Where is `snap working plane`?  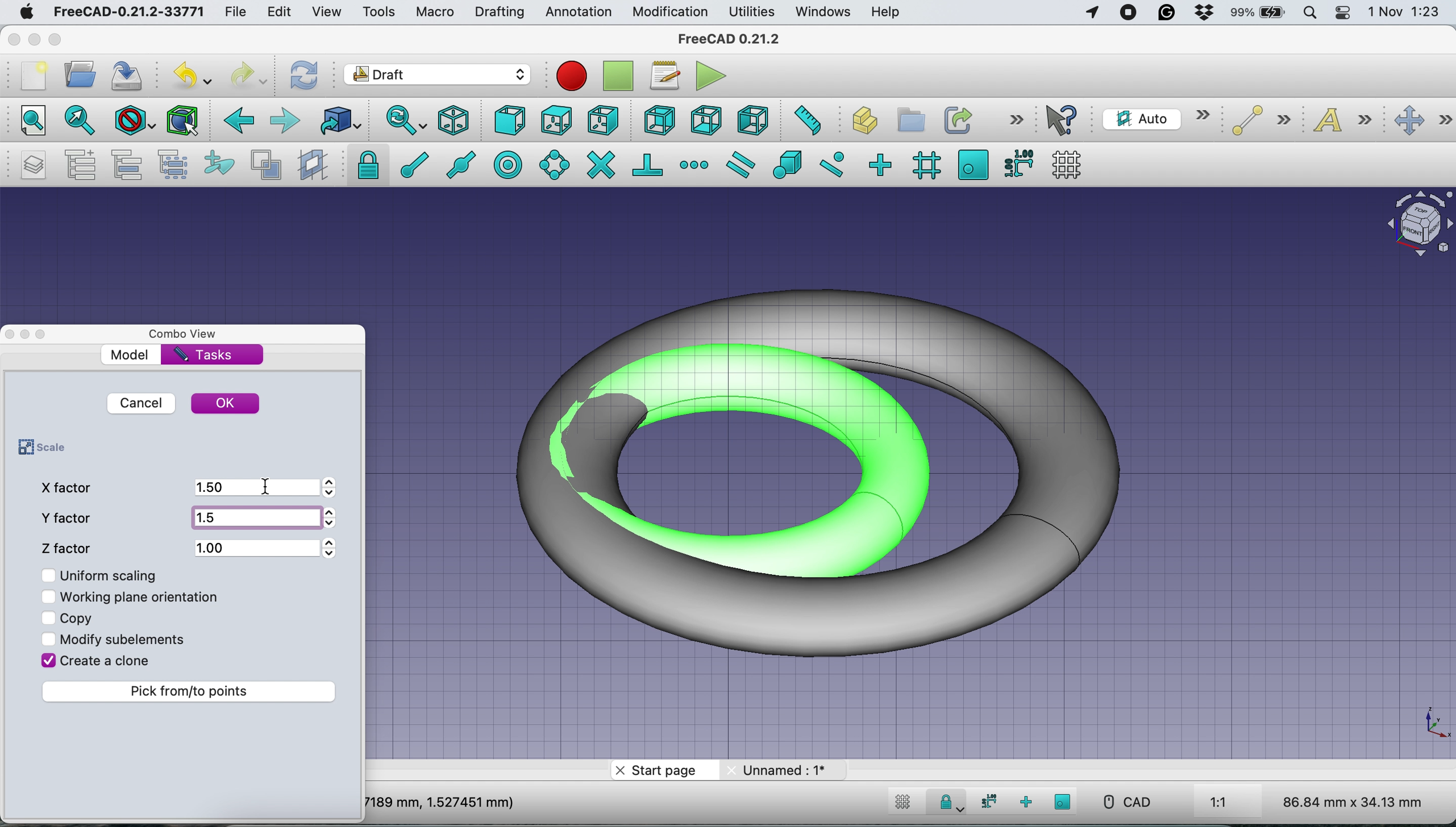 snap working plane is located at coordinates (1063, 801).